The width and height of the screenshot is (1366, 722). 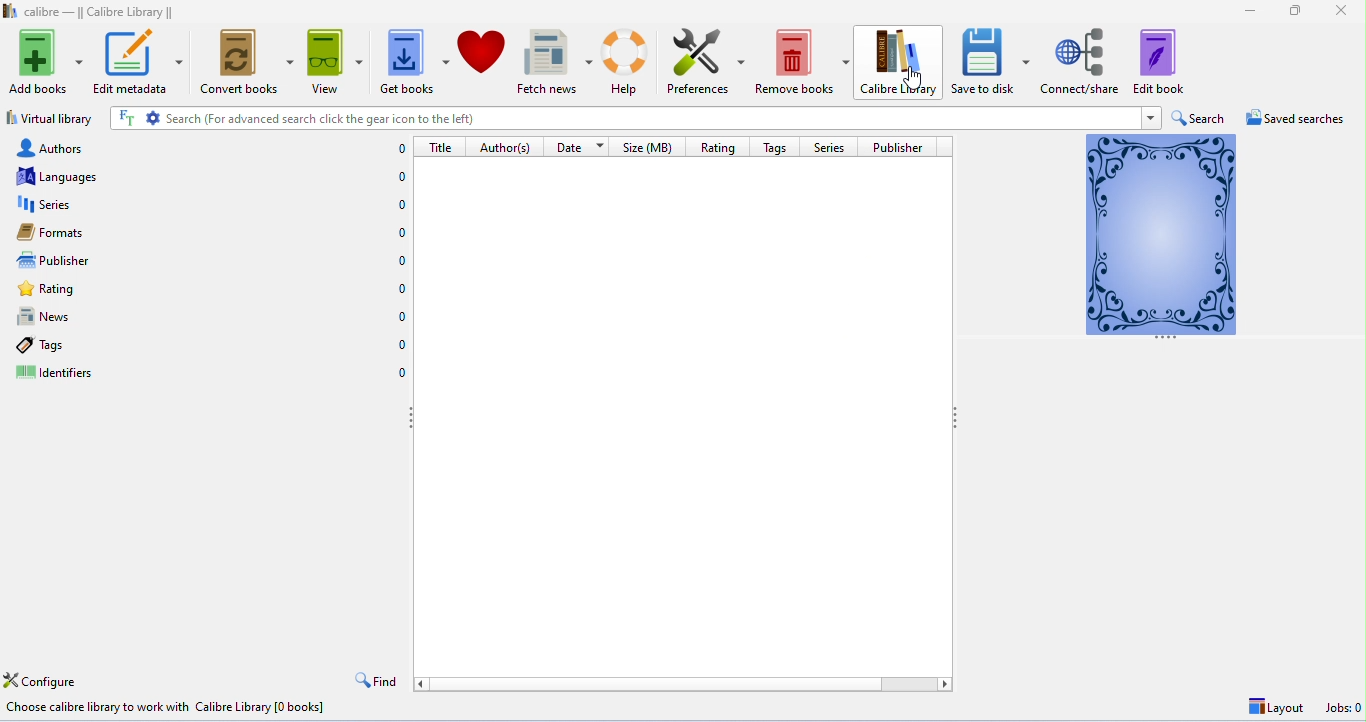 I want to click on authors, so click(x=210, y=149).